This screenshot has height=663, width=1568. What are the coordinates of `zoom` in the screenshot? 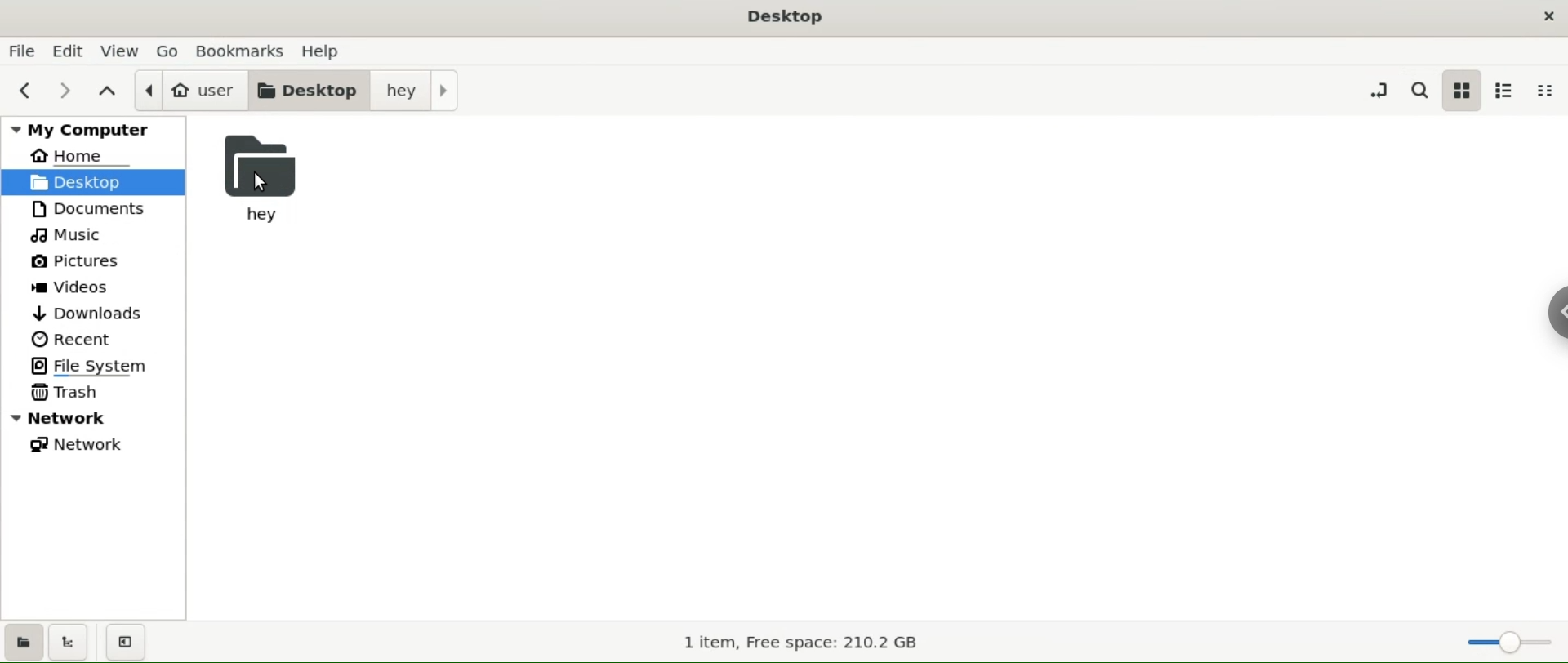 It's located at (1512, 643).